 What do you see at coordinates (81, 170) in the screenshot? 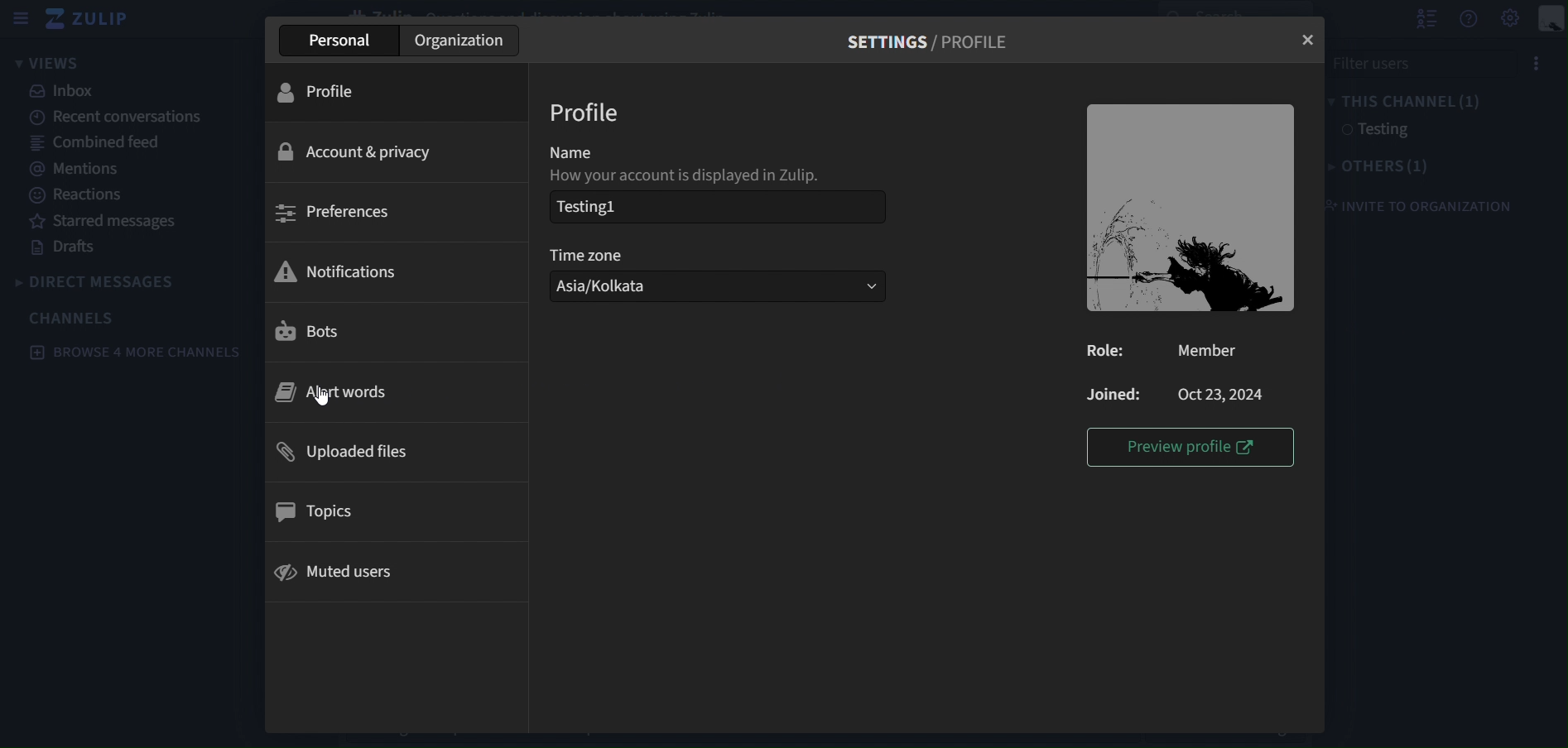
I see `mentions` at bounding box center [81, 170].